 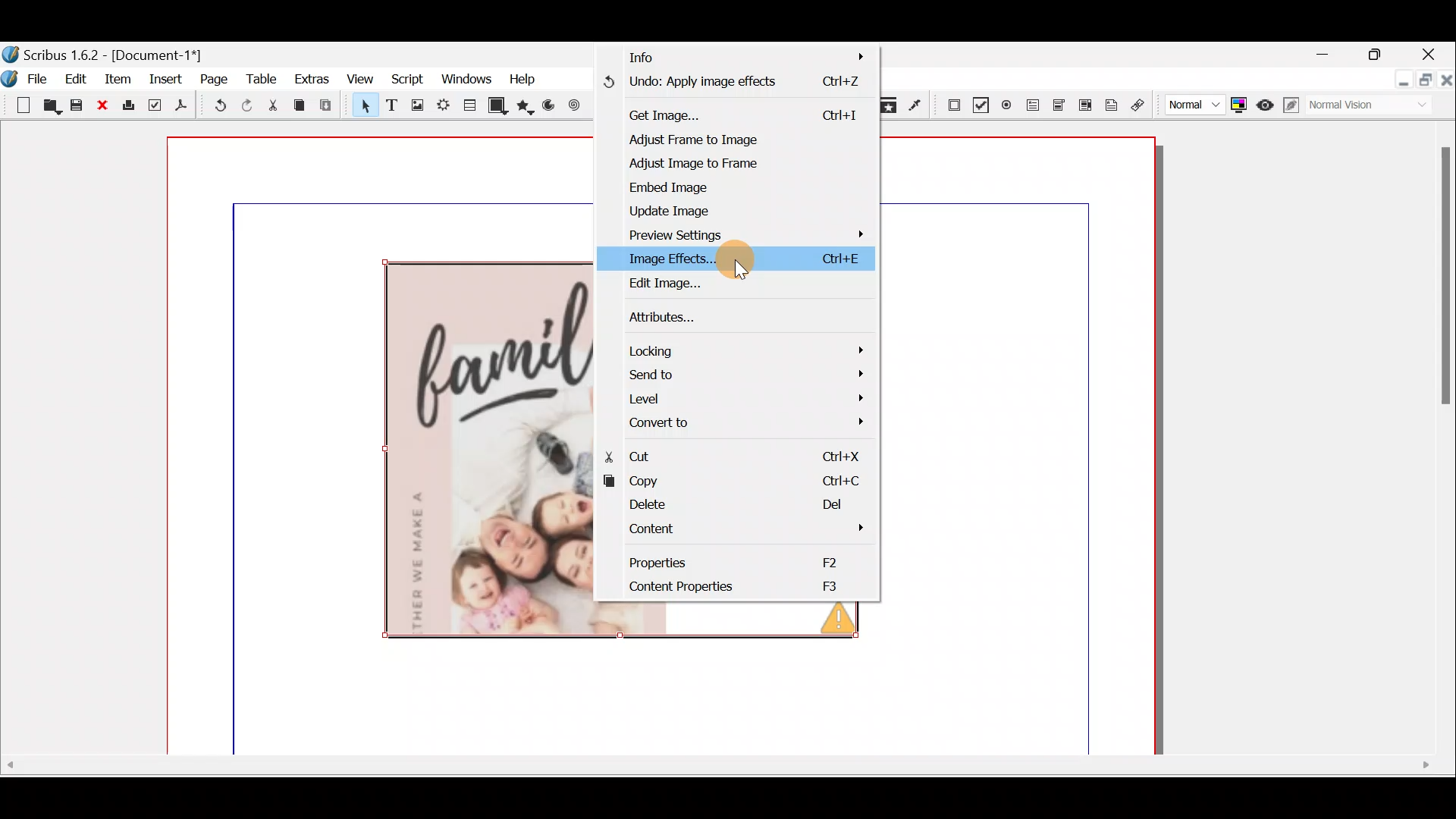 What do you see at coordinates (673, 316) in the screenshot?
I see `Attributes` at bounding box center [673, 316].